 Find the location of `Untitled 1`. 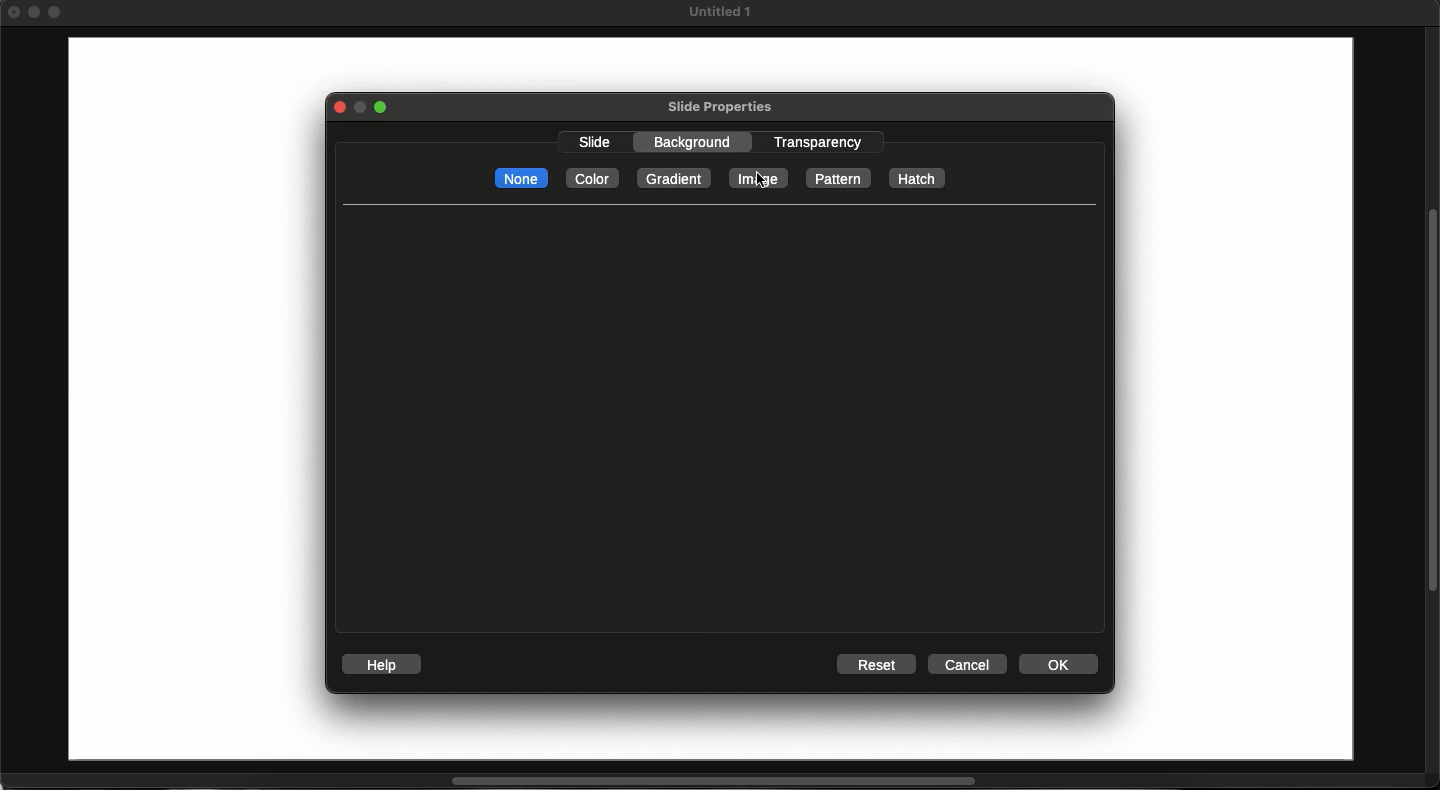

Untitled 1 is located at coordinates (718, 12).